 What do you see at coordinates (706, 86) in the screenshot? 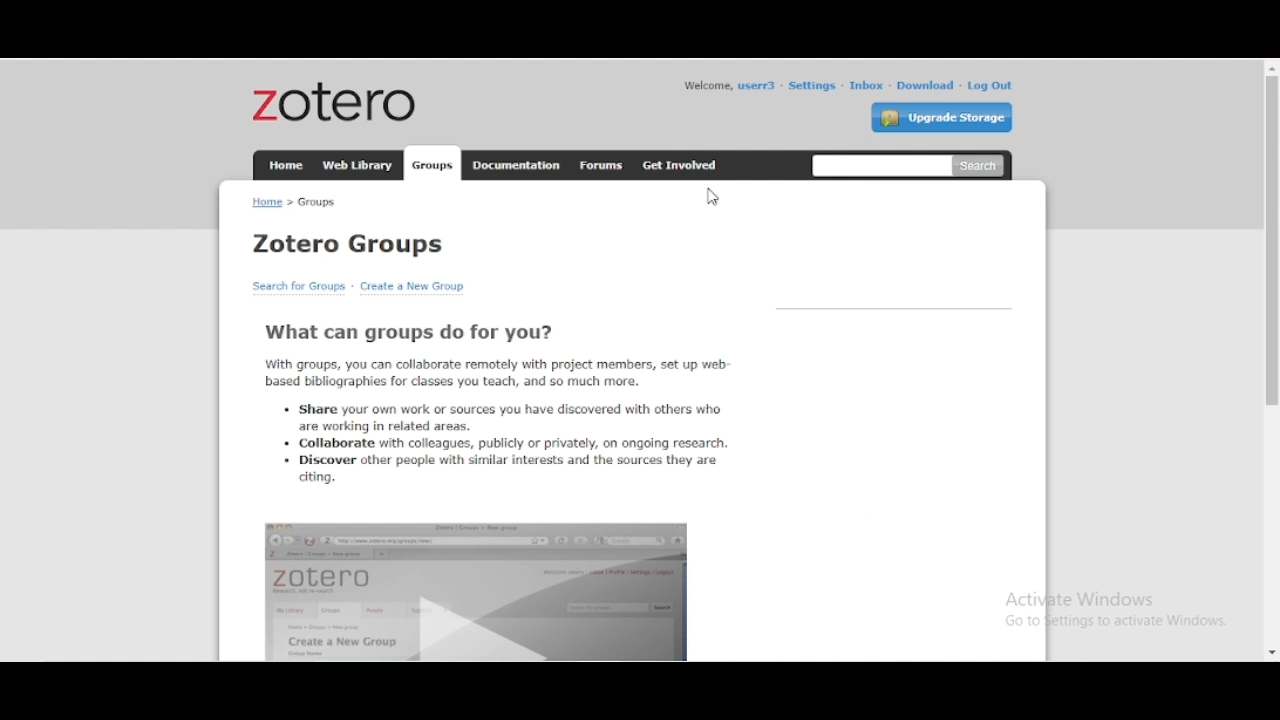
I see `welcome` at bounding box center [706, 86].